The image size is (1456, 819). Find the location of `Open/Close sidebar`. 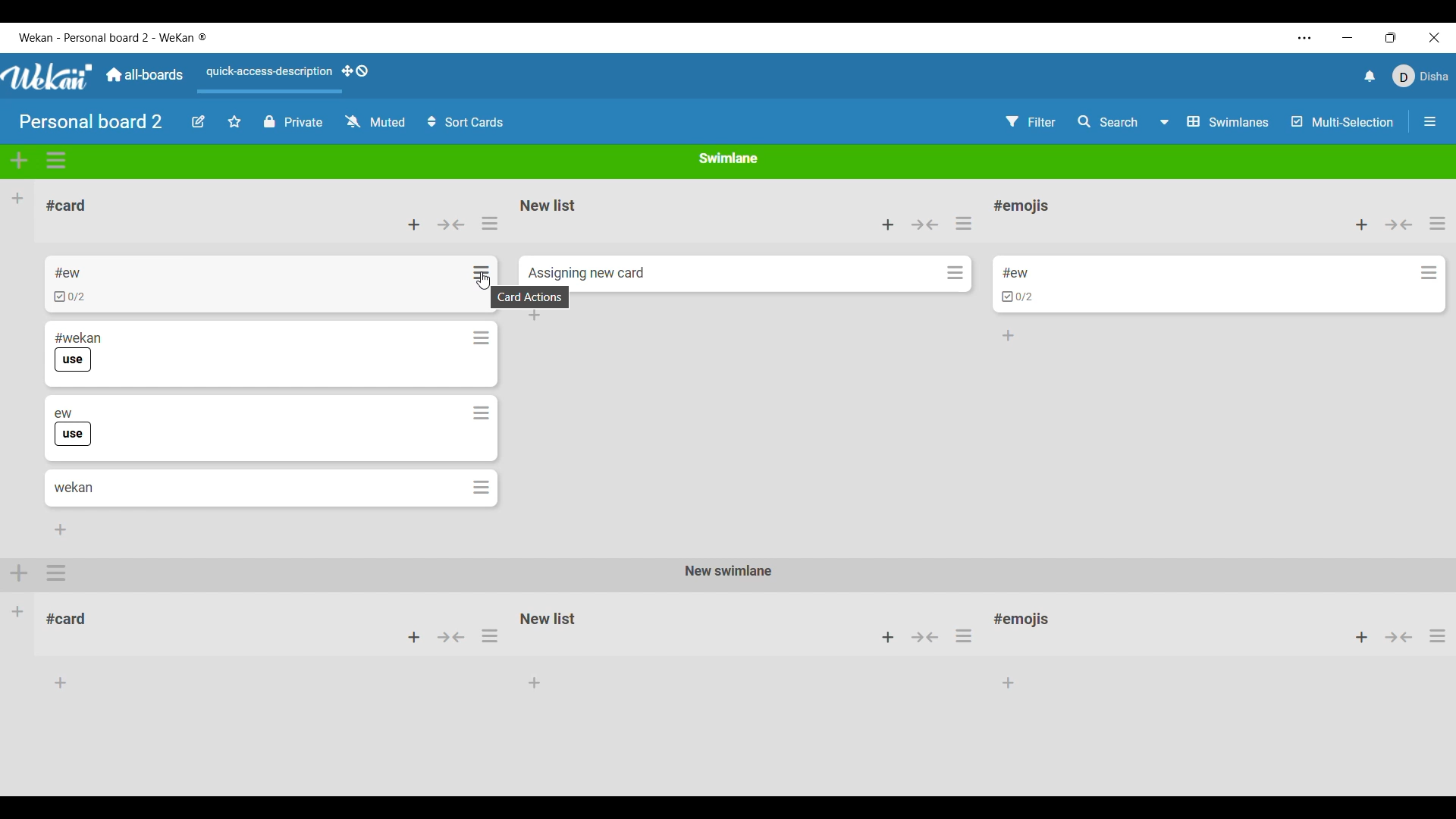

Open/Close sidebar is located at coordinates (1430, 121).